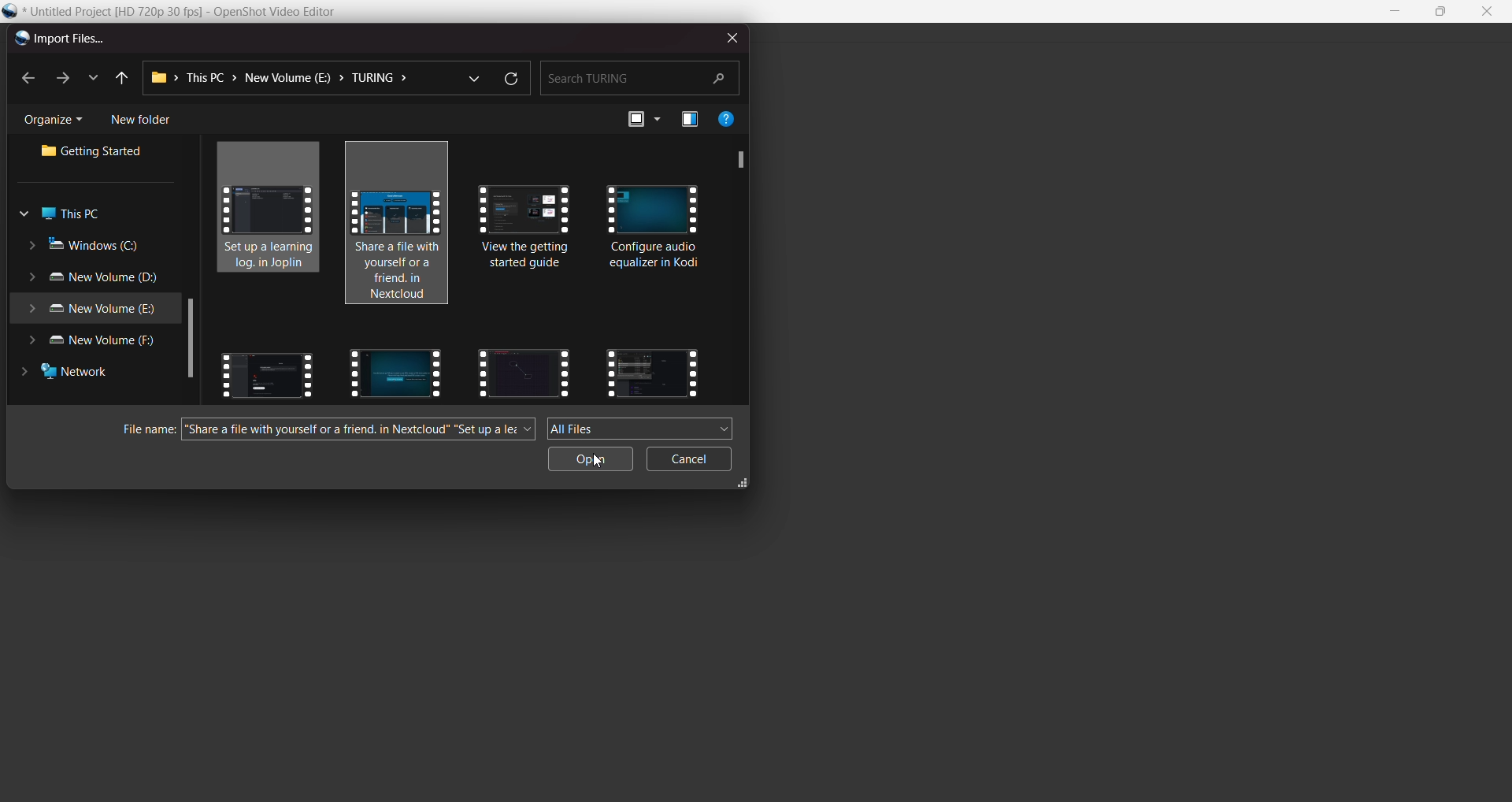 The height and width of the screenshot is (802, 1512). What do you see at coordinates (728, 36) in the screenshot?
I see `close dialog` at bounding box center [728, 36].